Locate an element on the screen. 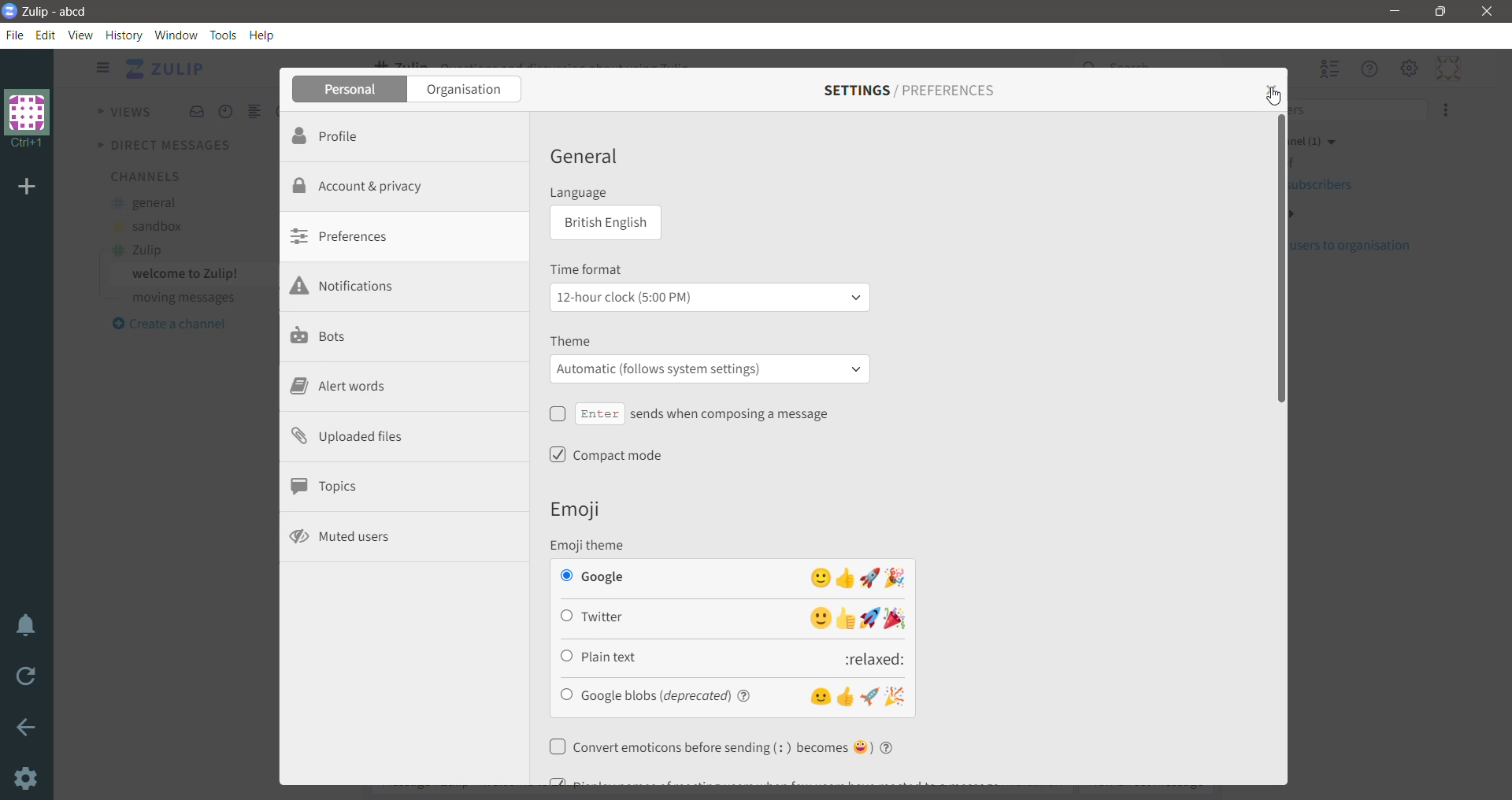 The height and width of the screenshot is (800, 1512). Enable Do Not Disturb is located at coordinates (27, 626).